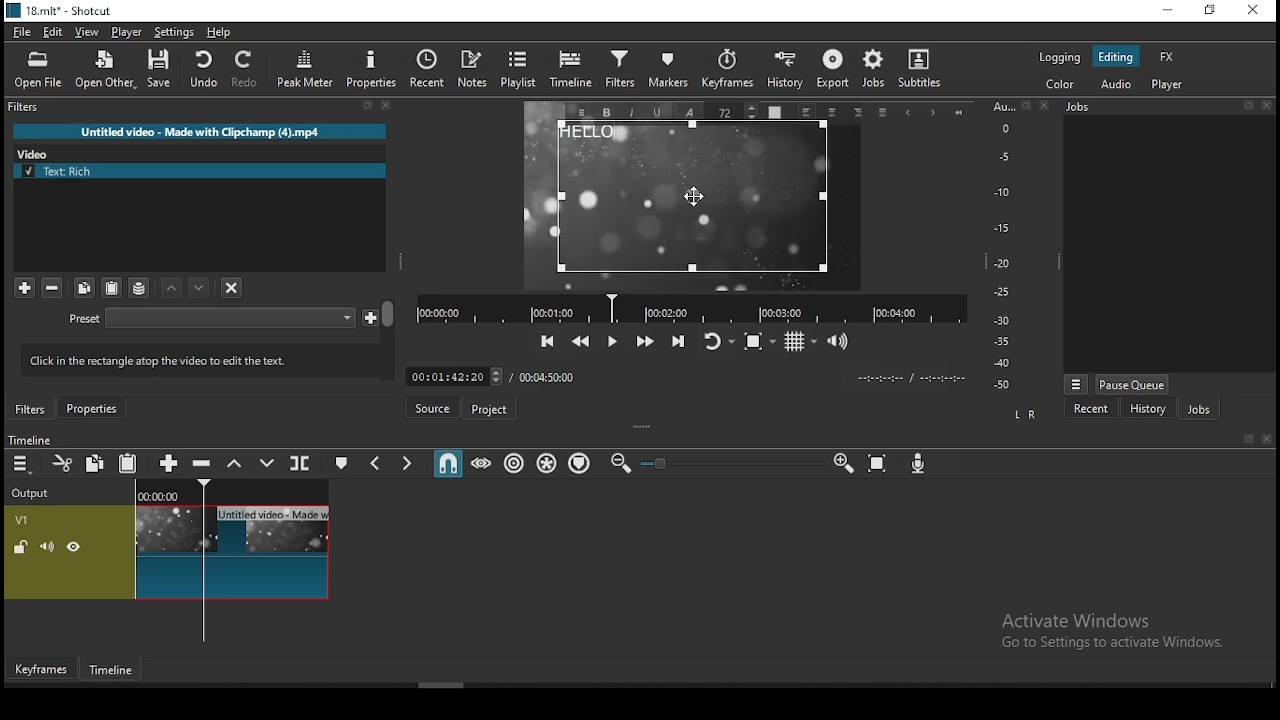 Image resolution: width=1280 pixels, height=720 pixels. Describe the element at coordinates (760, 341) in the screenshot. I see `toggle zoom` at that location.